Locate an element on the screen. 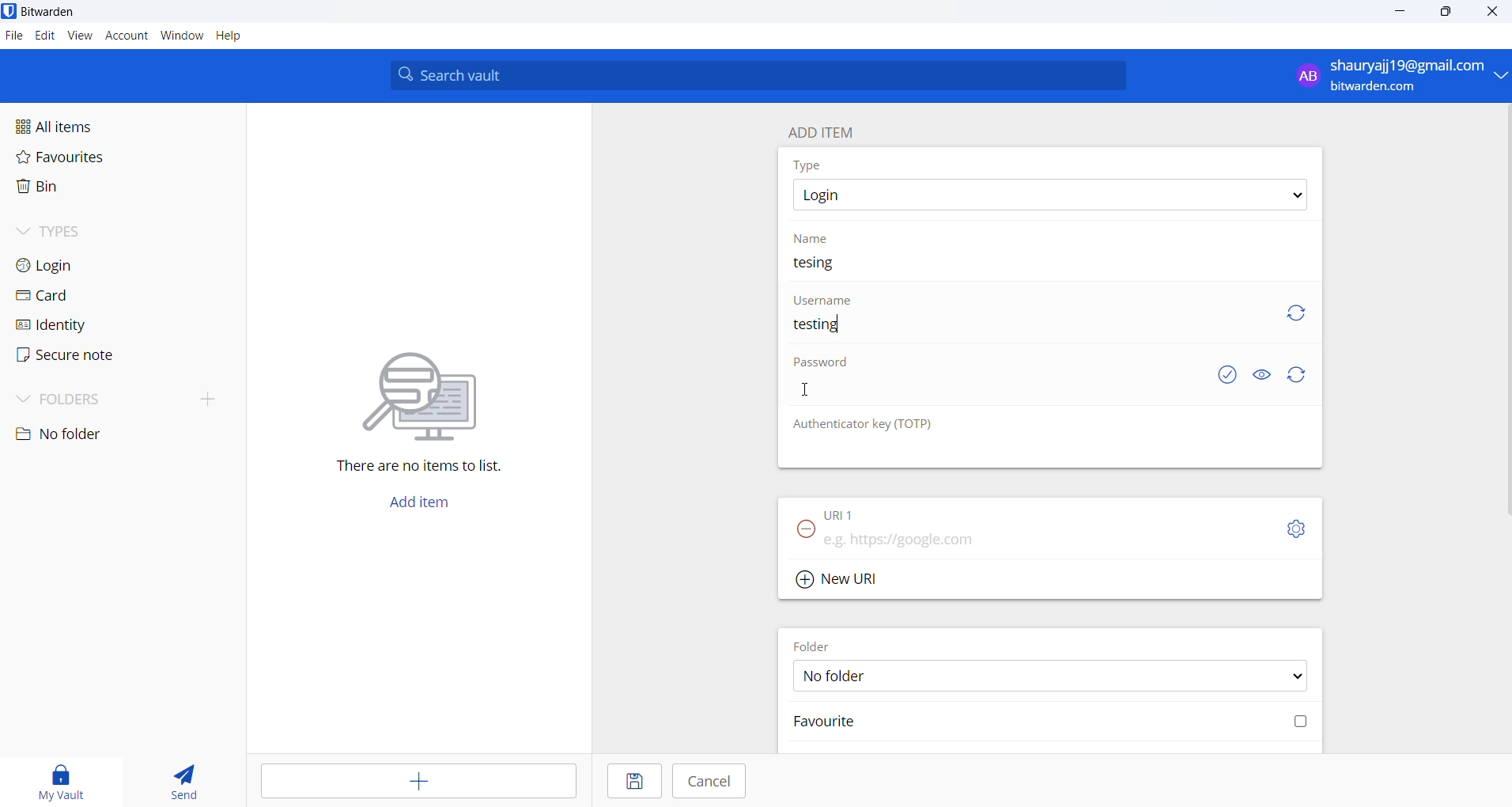  minimize is located at coordinates (1398, 16).